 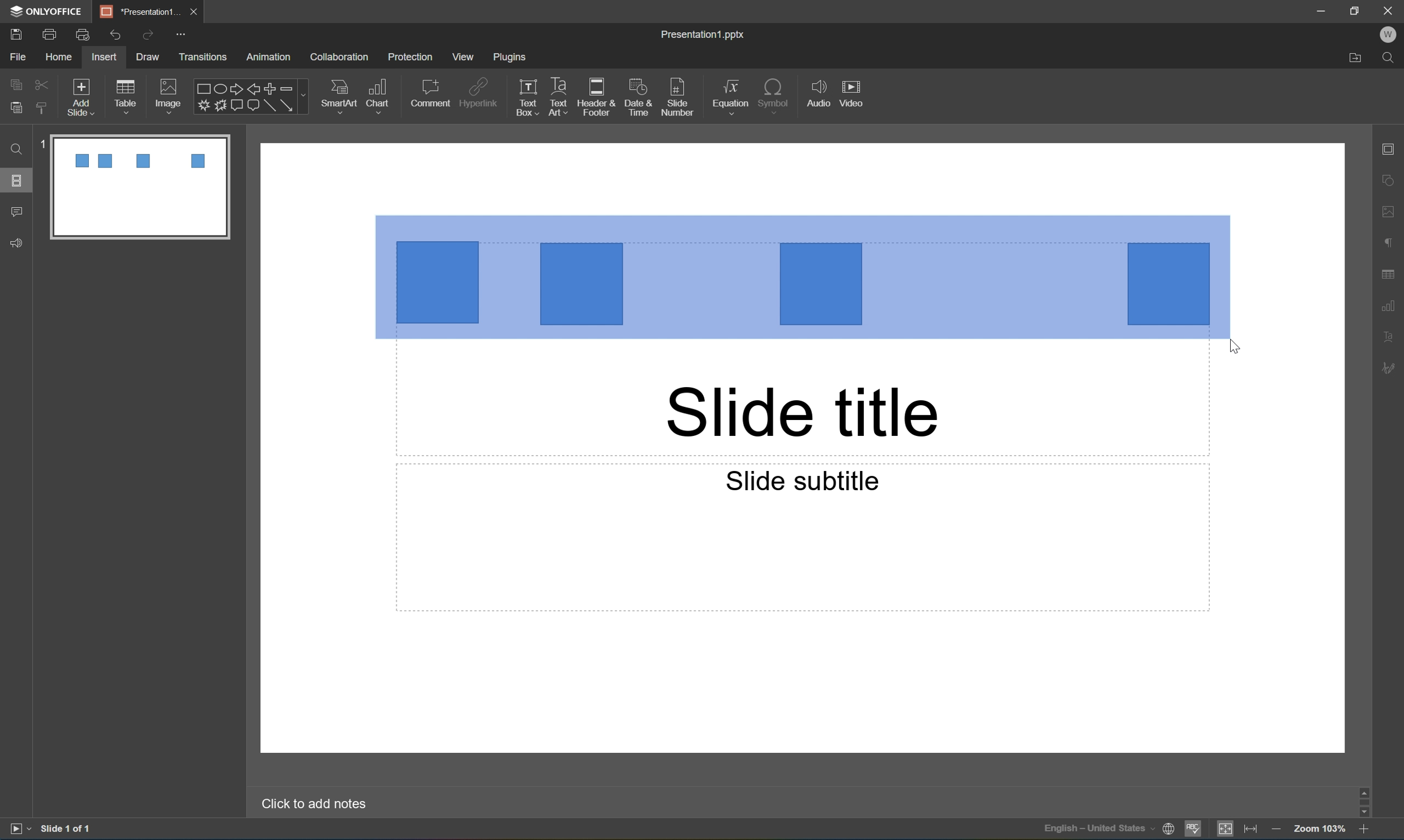 I want to click on DRAG_TO Cursor Position, so click(x=1233, y=344).